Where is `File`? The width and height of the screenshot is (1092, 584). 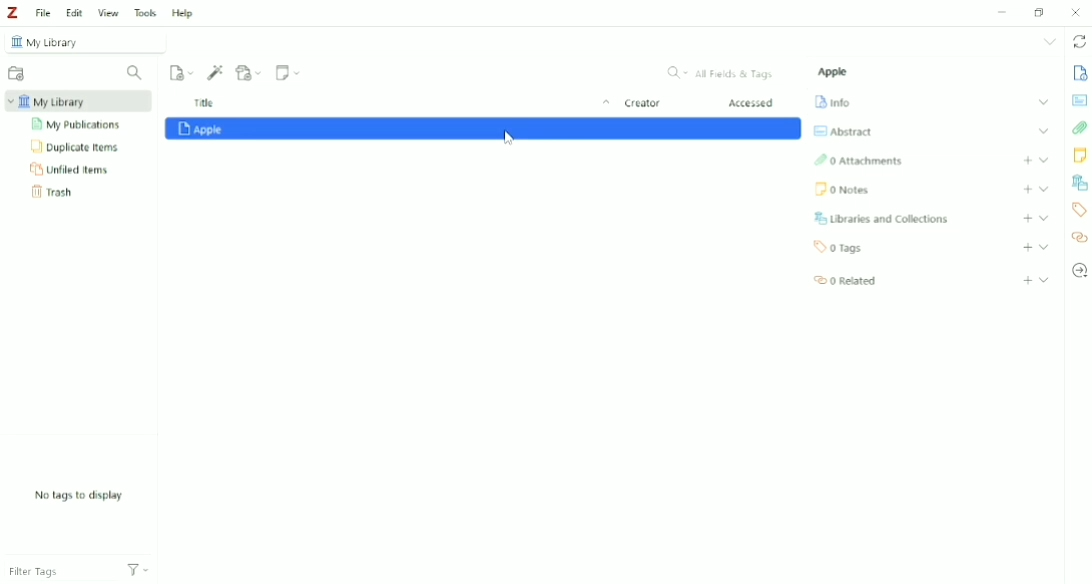
File is located at coordinates (44, 14).